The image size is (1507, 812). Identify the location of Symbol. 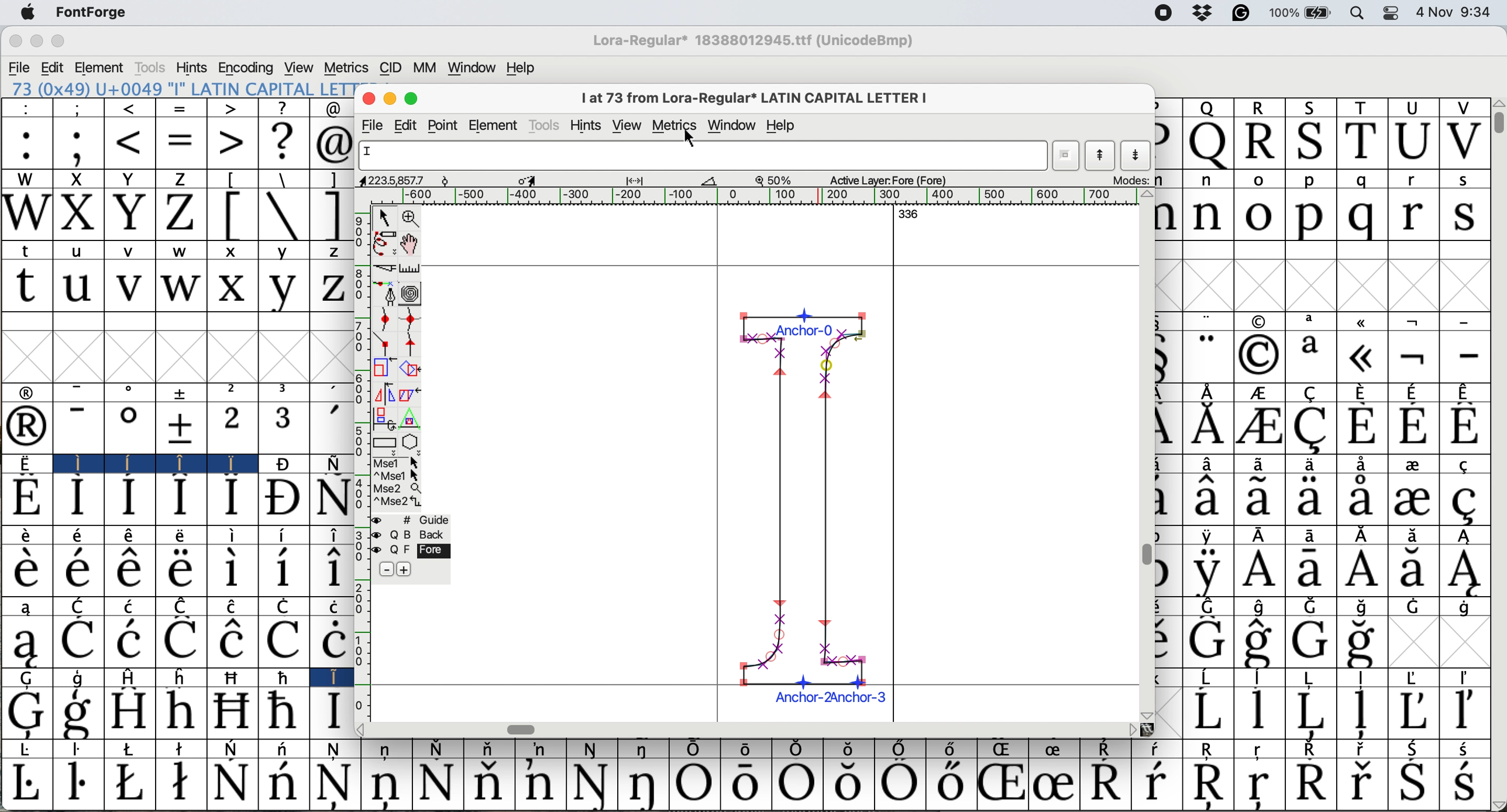
(1210, 784).